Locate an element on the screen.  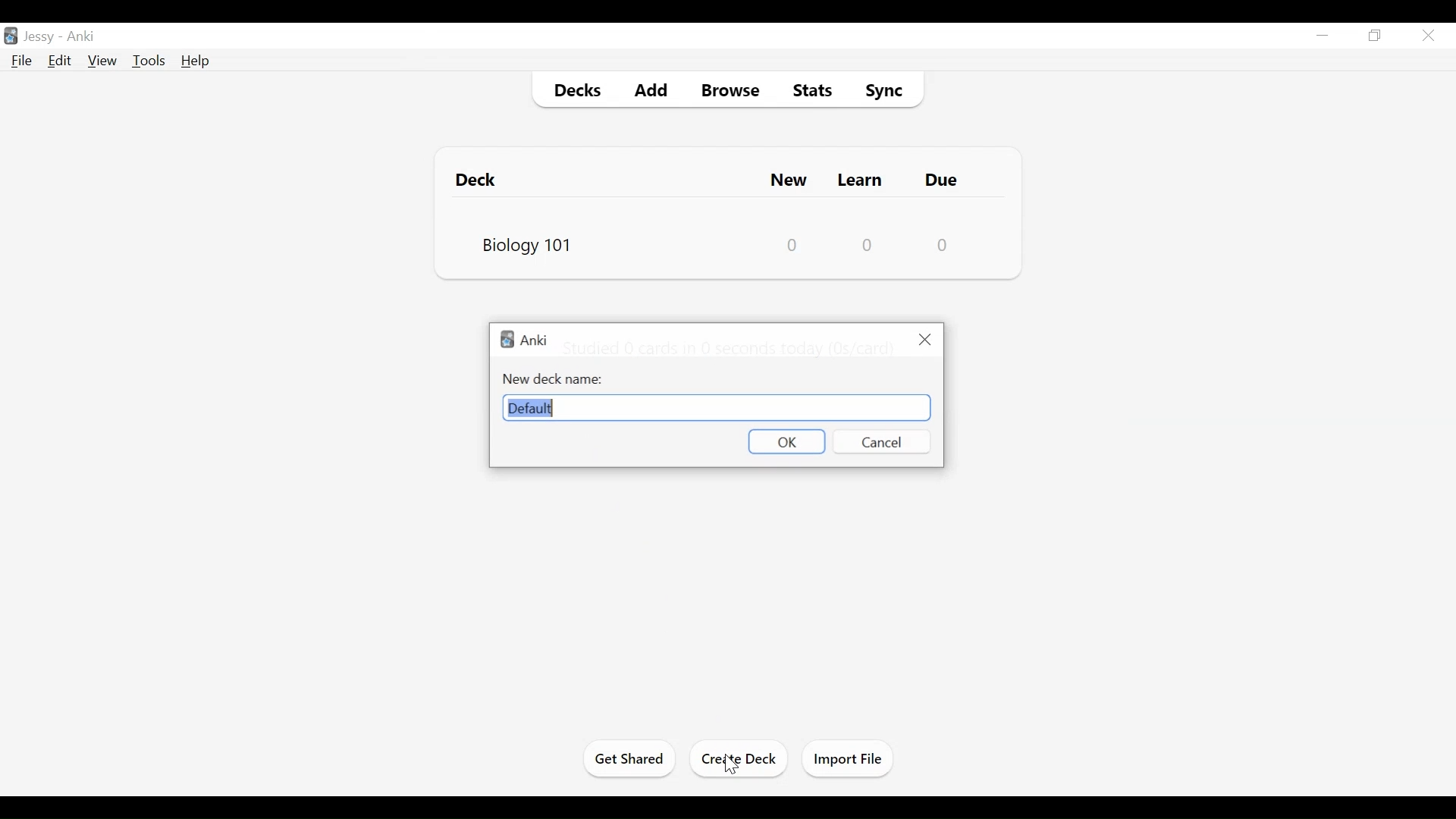
Anki is located at coordinates (85, 36).